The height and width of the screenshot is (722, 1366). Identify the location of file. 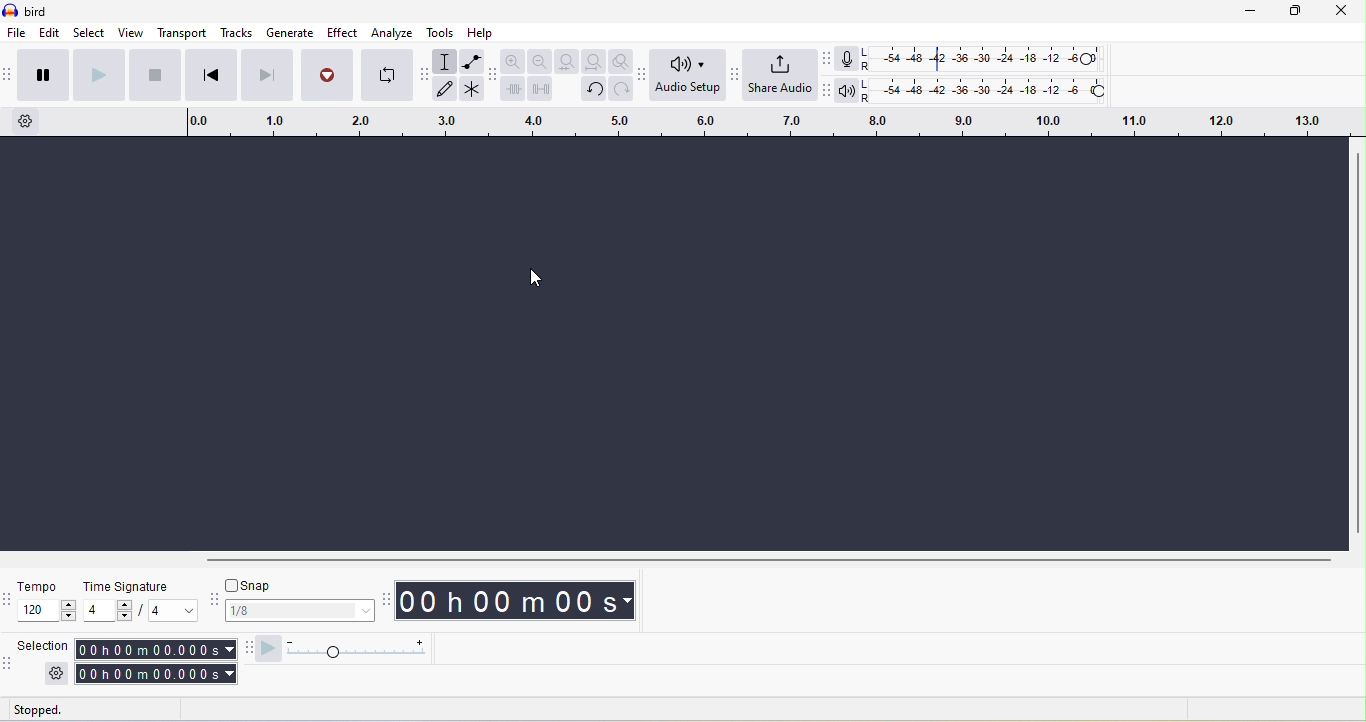
(15, 34).